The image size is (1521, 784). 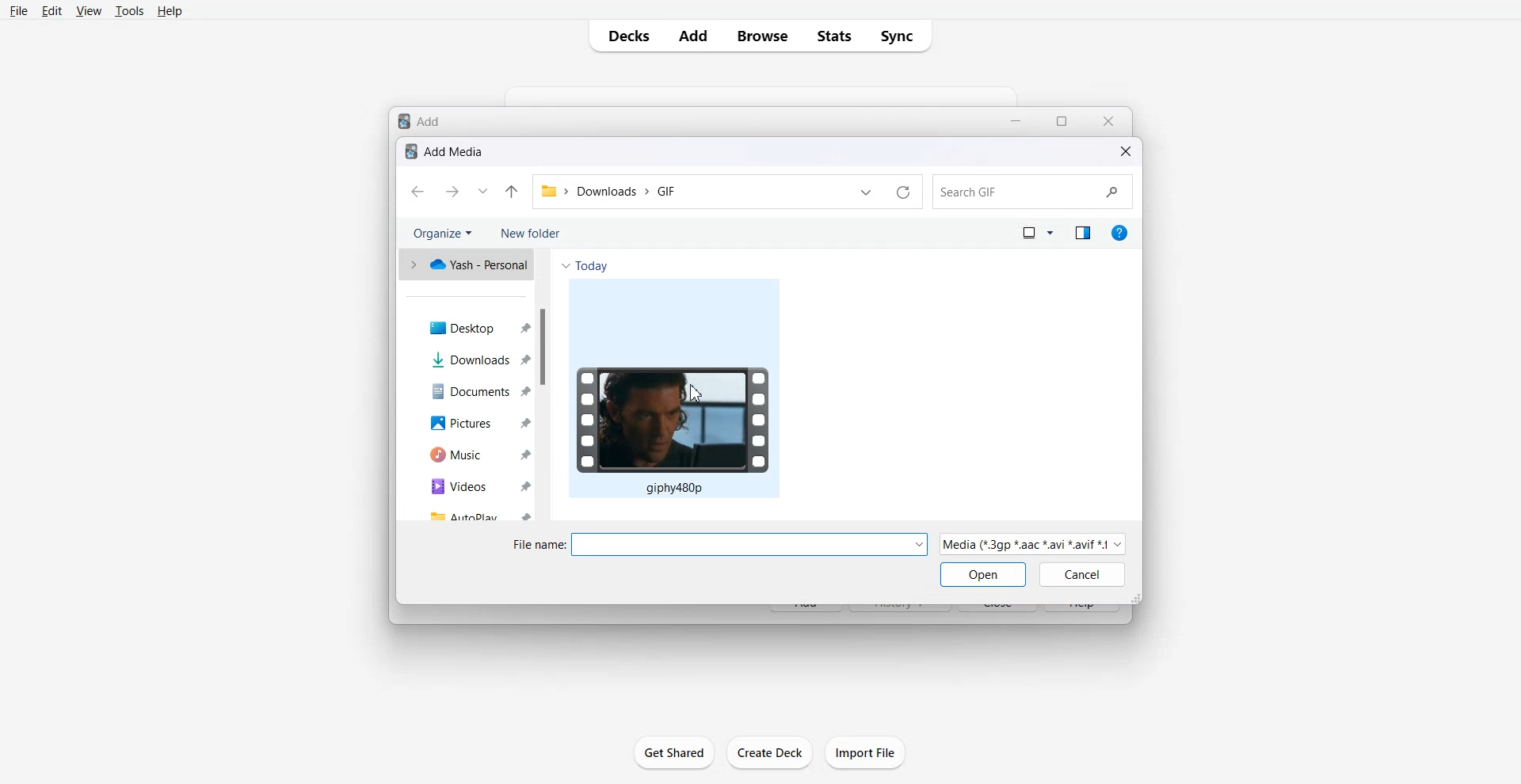 I want to click on Autoplay, so click(x=471, y=513).